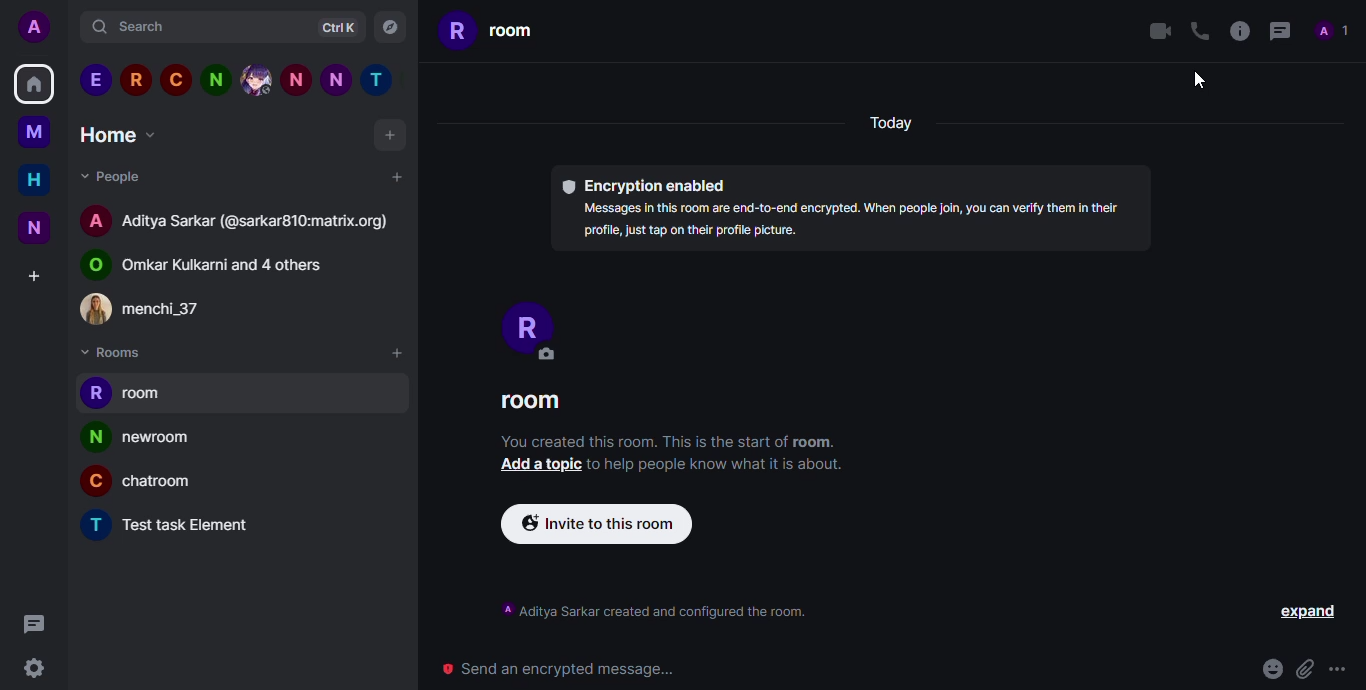 Image resolution: width=1366 pixels, height=690 pixels. Describe the element at coordinates (36, 132) in the screenshot. I see `My space` at that location.